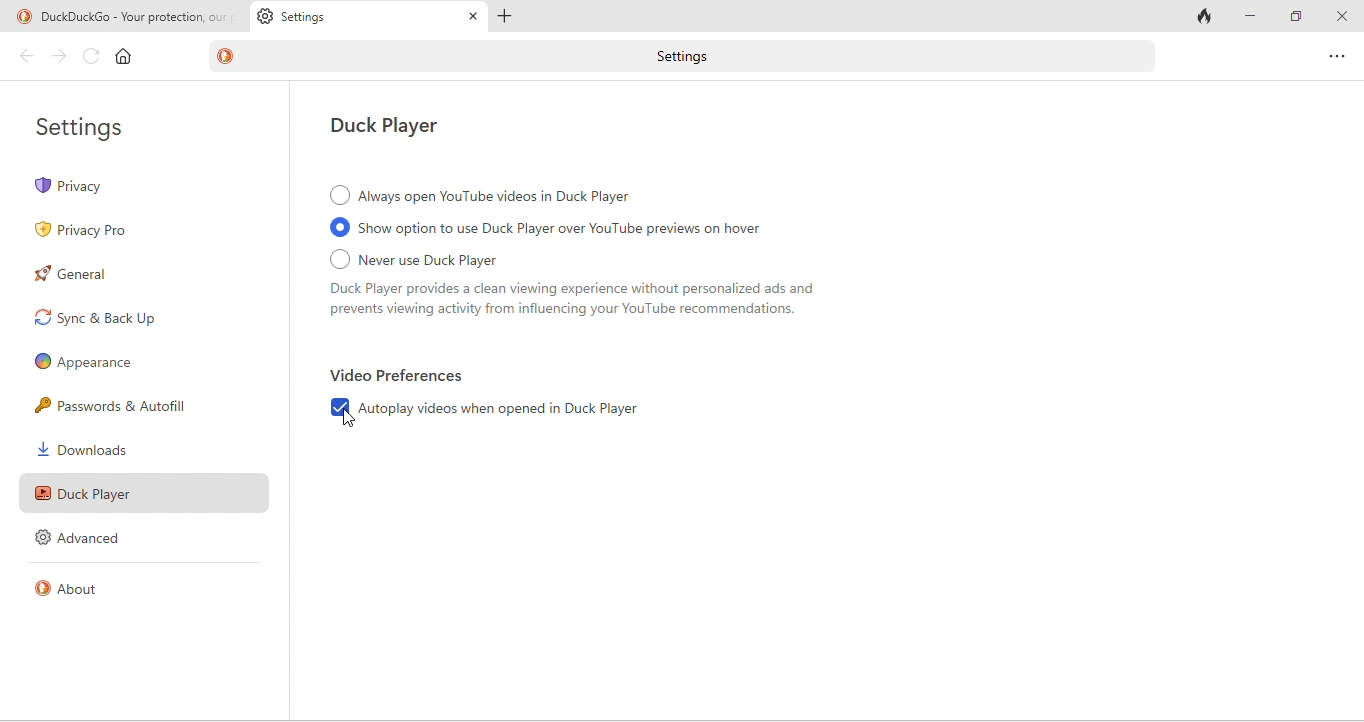 This screenshot has height=722, width=1364. I want to click on options, so click(1333, 55).